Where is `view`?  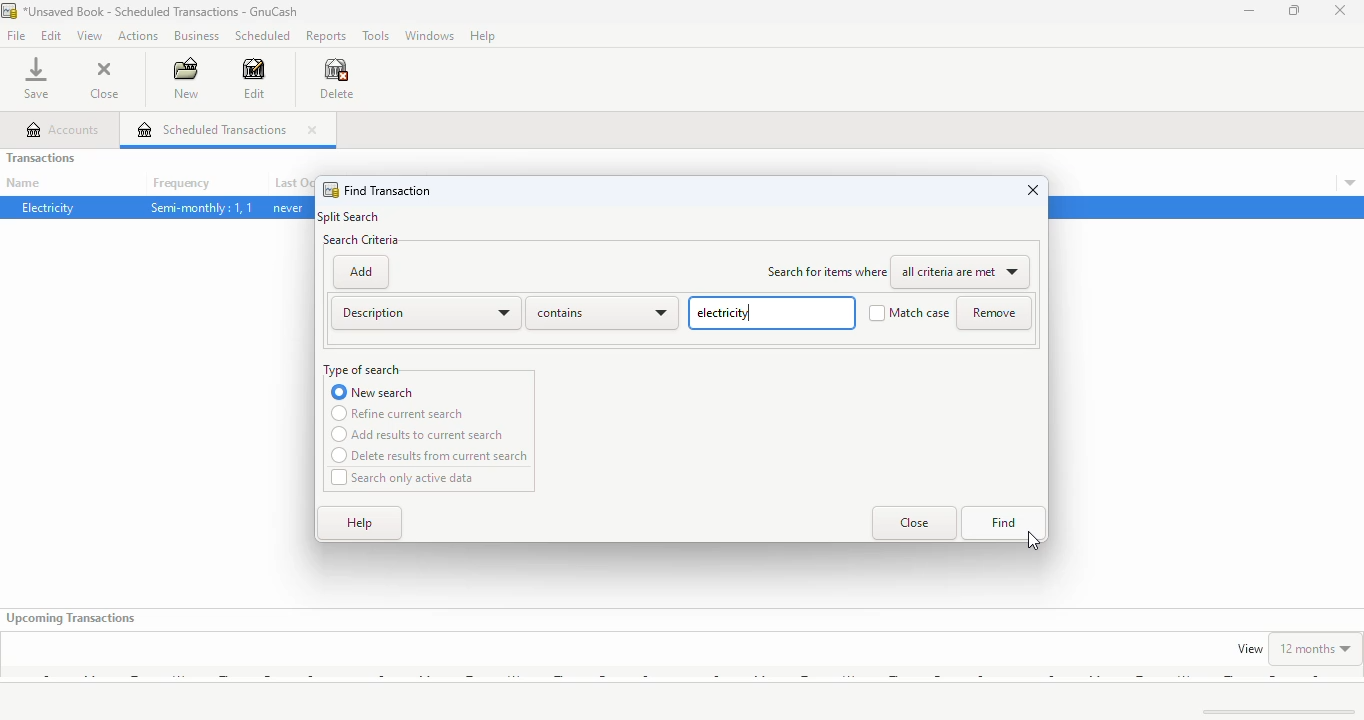 view is located at coordinates (1250, 649).